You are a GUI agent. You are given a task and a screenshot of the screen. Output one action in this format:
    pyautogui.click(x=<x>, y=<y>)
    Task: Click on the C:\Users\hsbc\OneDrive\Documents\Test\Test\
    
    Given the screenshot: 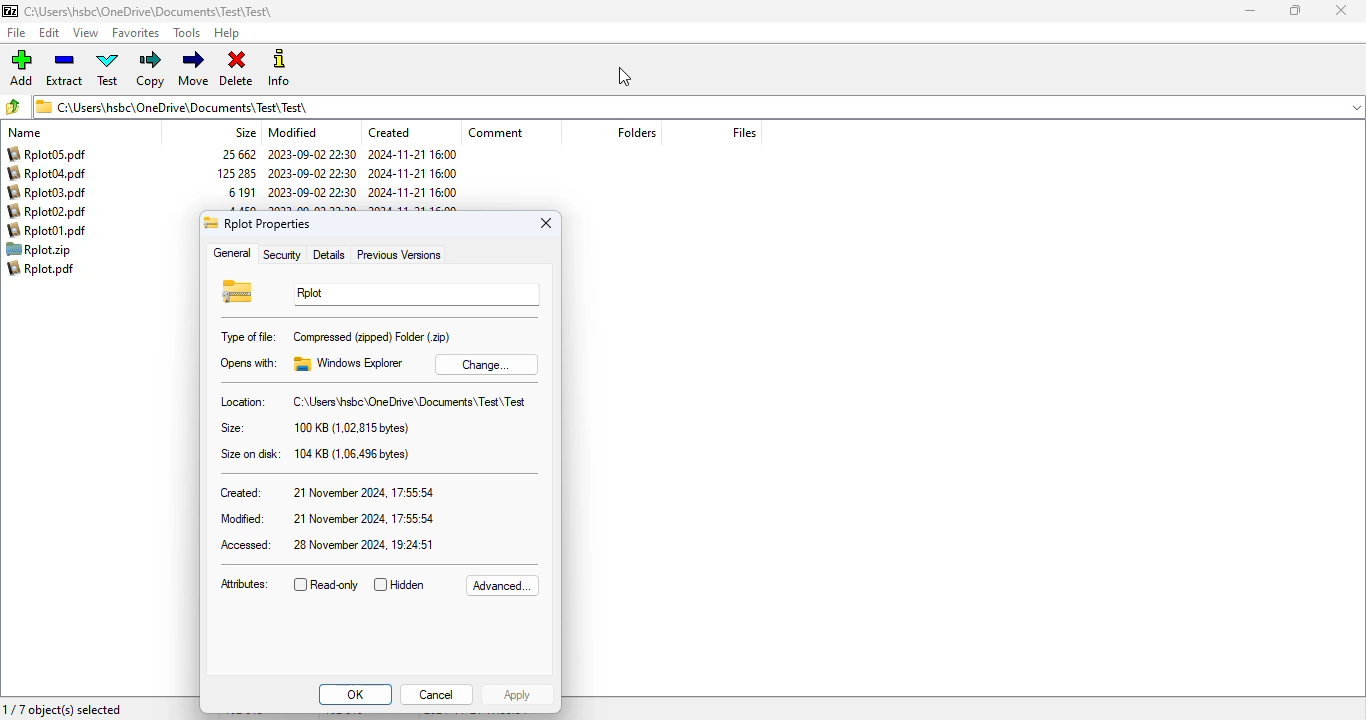 What is the action you would take?
    pyautogui.click(x=409, y=402)
    